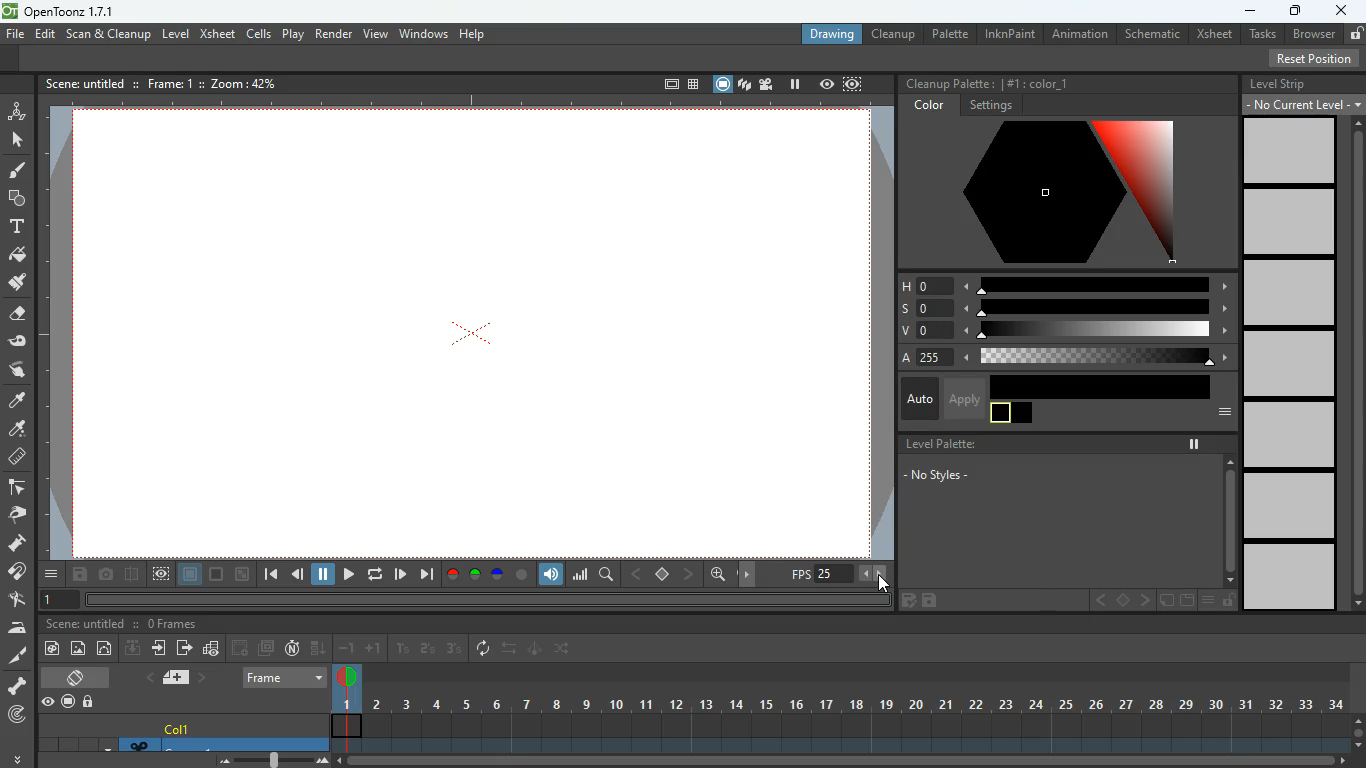 This screenshot has height=768, width=1366. Describe the element at coordinates (522, 575) in the screenshot. I see `color` at that location.